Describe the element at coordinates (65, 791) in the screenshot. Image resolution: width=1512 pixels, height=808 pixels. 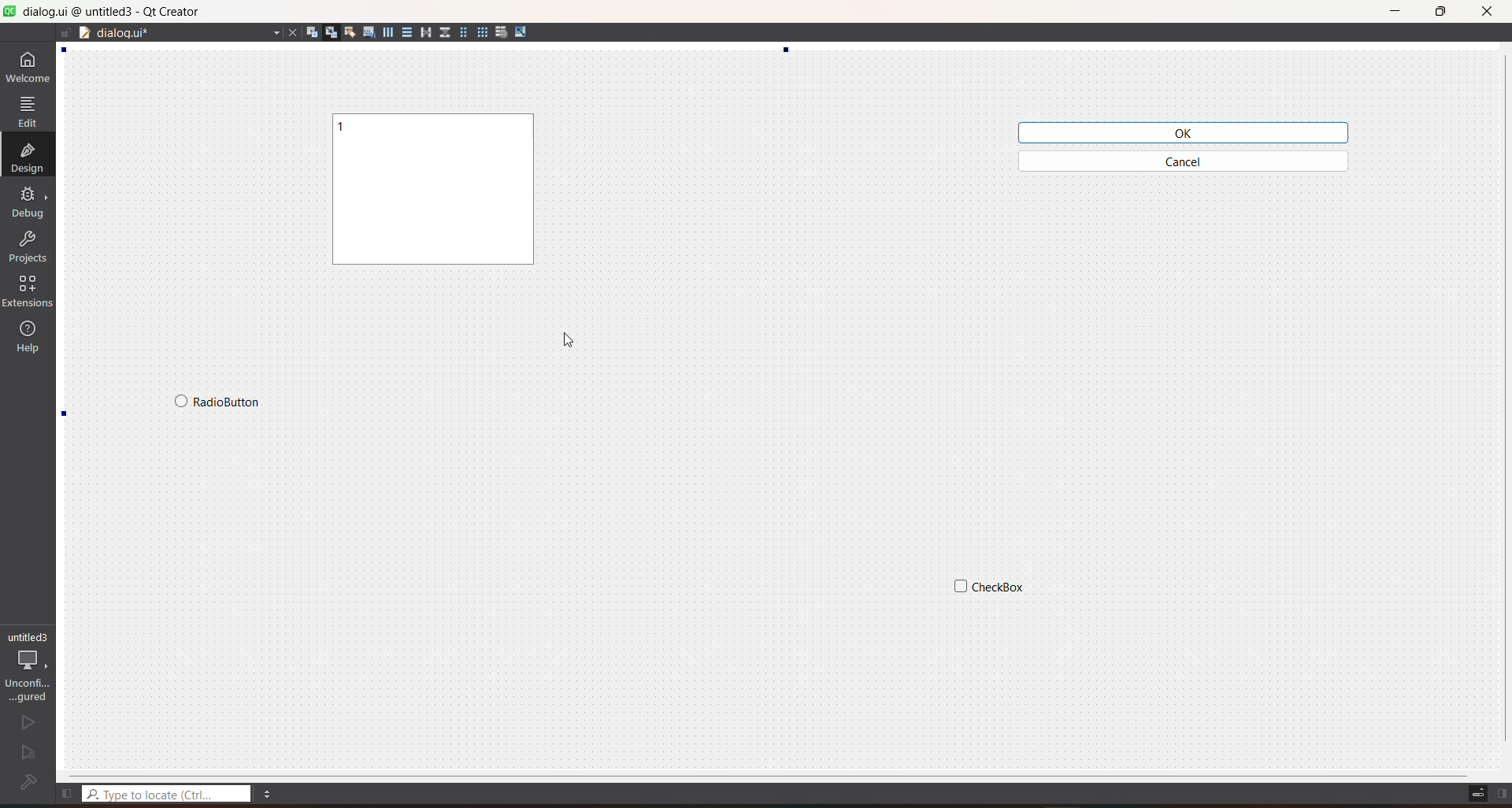
I see `show left sidebar` at that location.